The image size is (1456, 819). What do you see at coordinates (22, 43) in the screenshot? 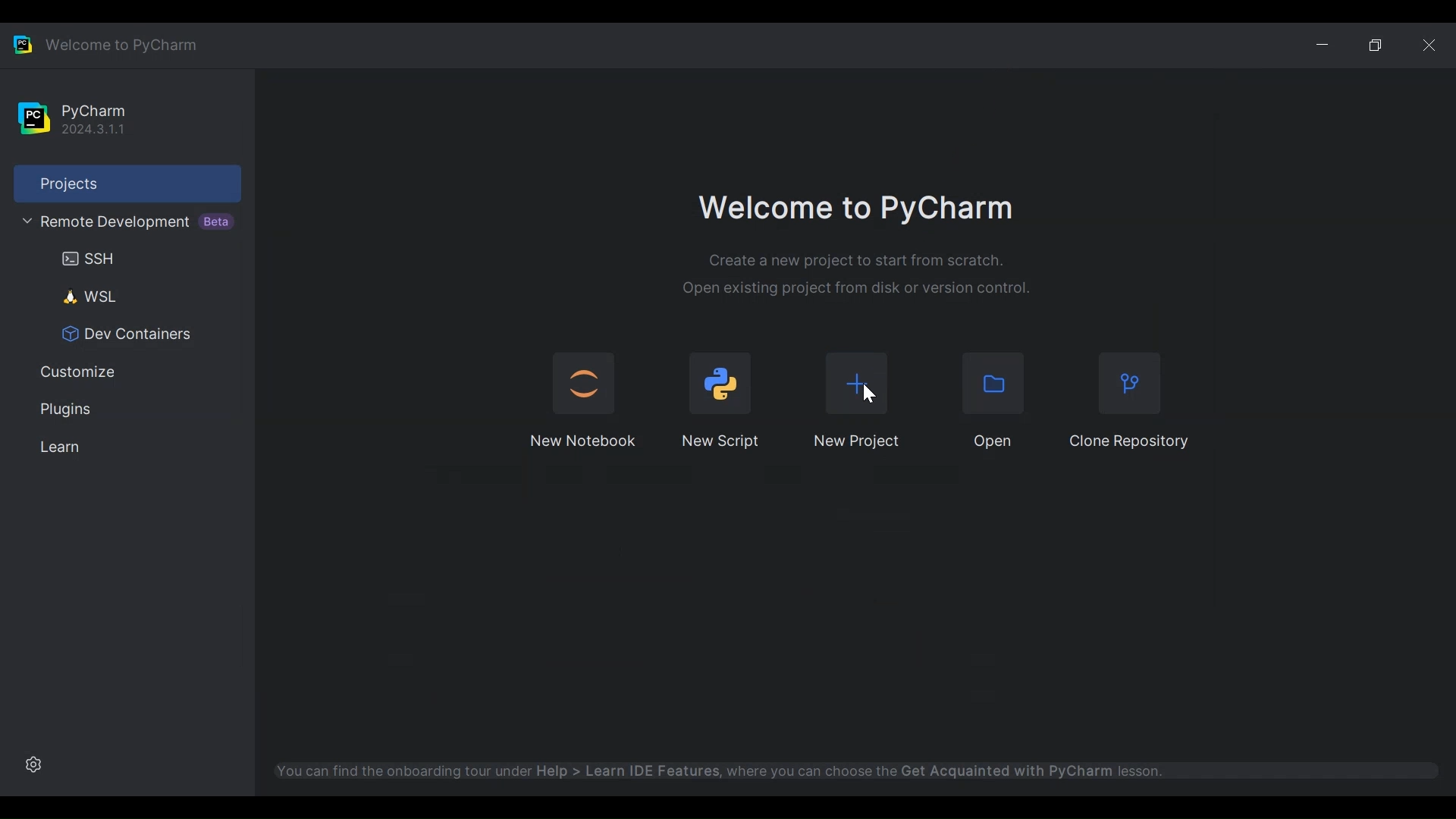
I see `PyCharm Desktop Icon` at bounding box center [22, 43].